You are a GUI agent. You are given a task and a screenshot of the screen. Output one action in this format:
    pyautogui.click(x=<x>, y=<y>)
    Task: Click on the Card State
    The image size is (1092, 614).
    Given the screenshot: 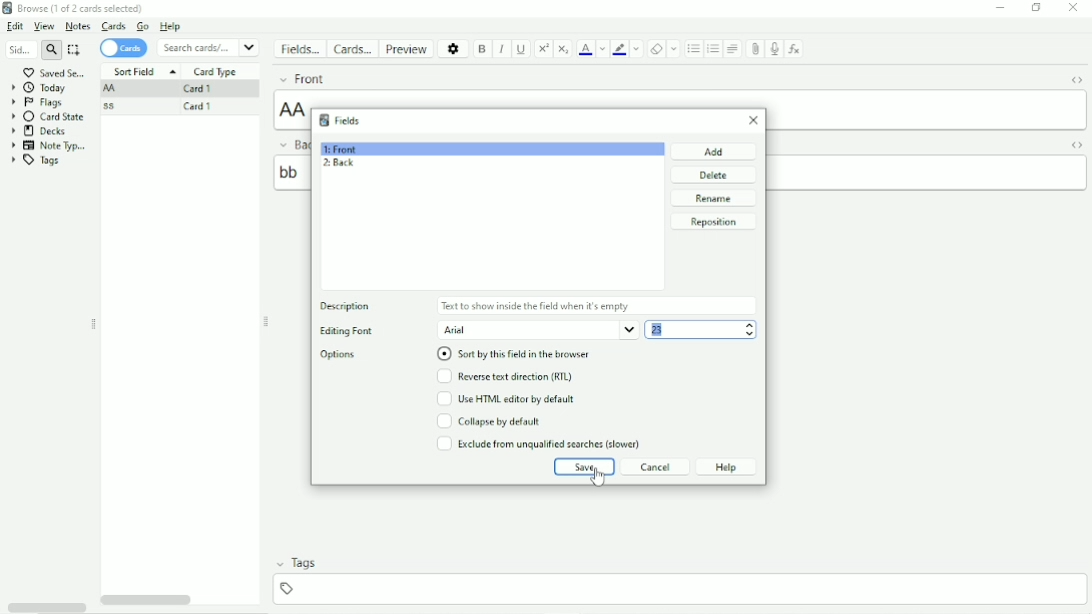 What is the action you would take?
    pyautogui.click(x=49, y=117)
    